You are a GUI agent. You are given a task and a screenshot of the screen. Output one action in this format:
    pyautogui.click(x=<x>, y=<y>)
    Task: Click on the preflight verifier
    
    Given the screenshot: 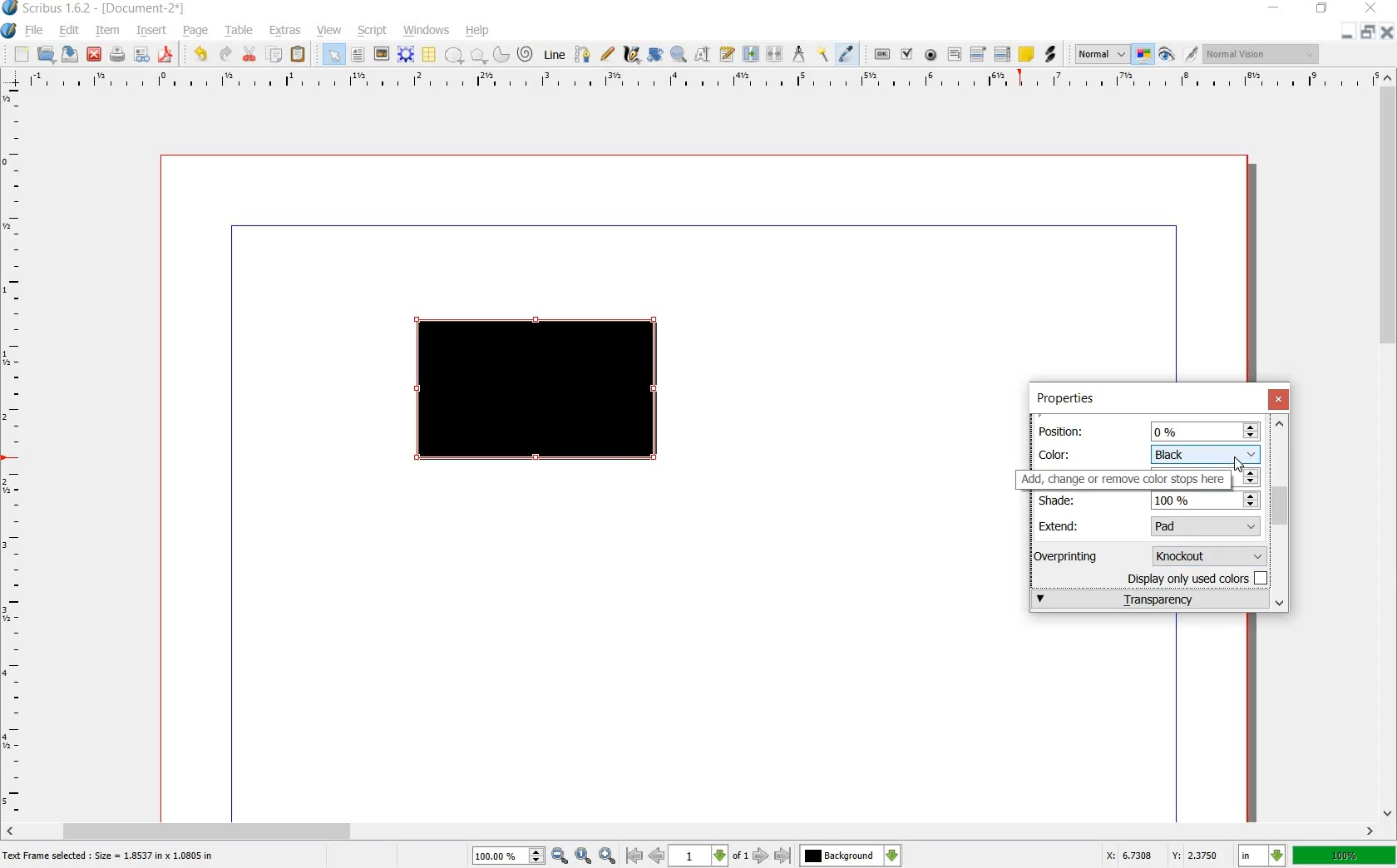 What is the action you would take?
    pyautogui.click(x=141, y=55)
    